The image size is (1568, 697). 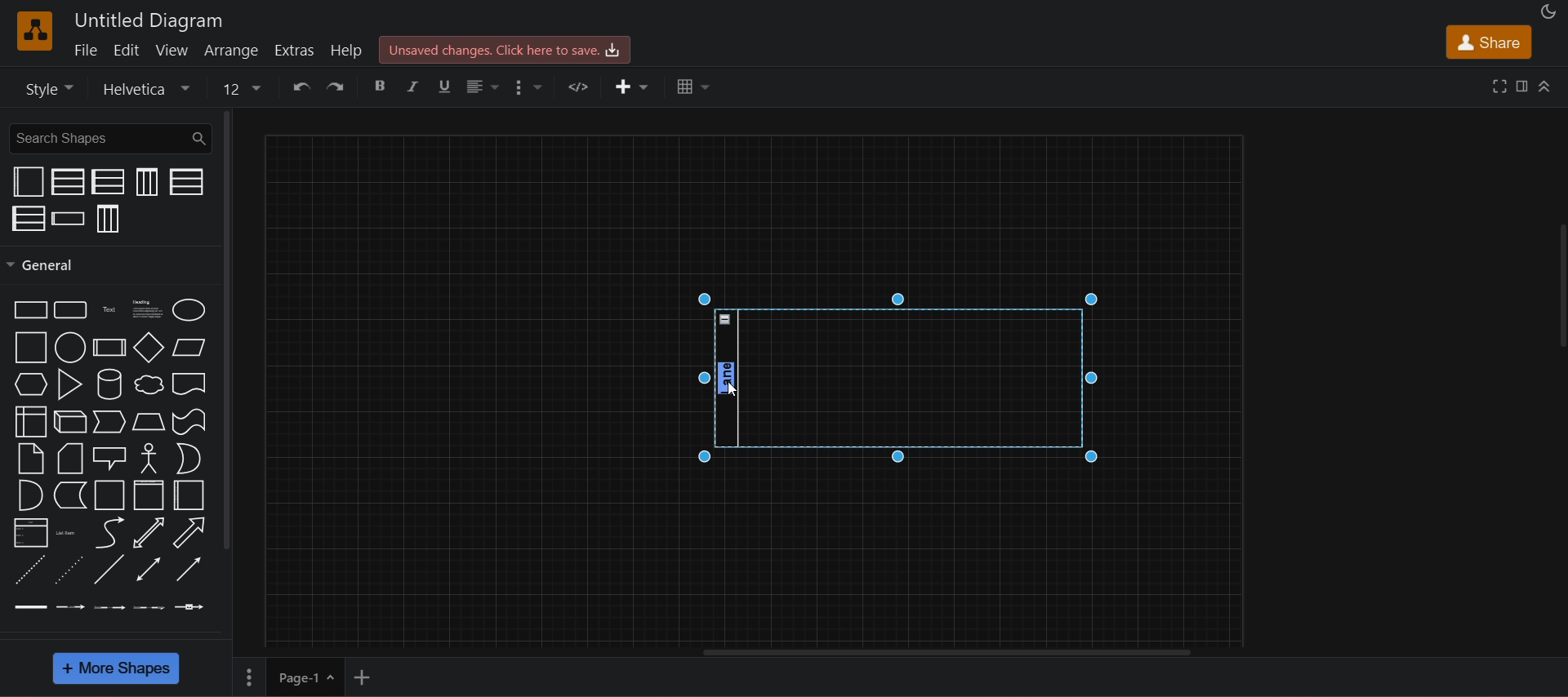 What do you see at coordinates (68, 182) in the screenshot?
I see `vertical pool 2` at bounding box center [68, 182].